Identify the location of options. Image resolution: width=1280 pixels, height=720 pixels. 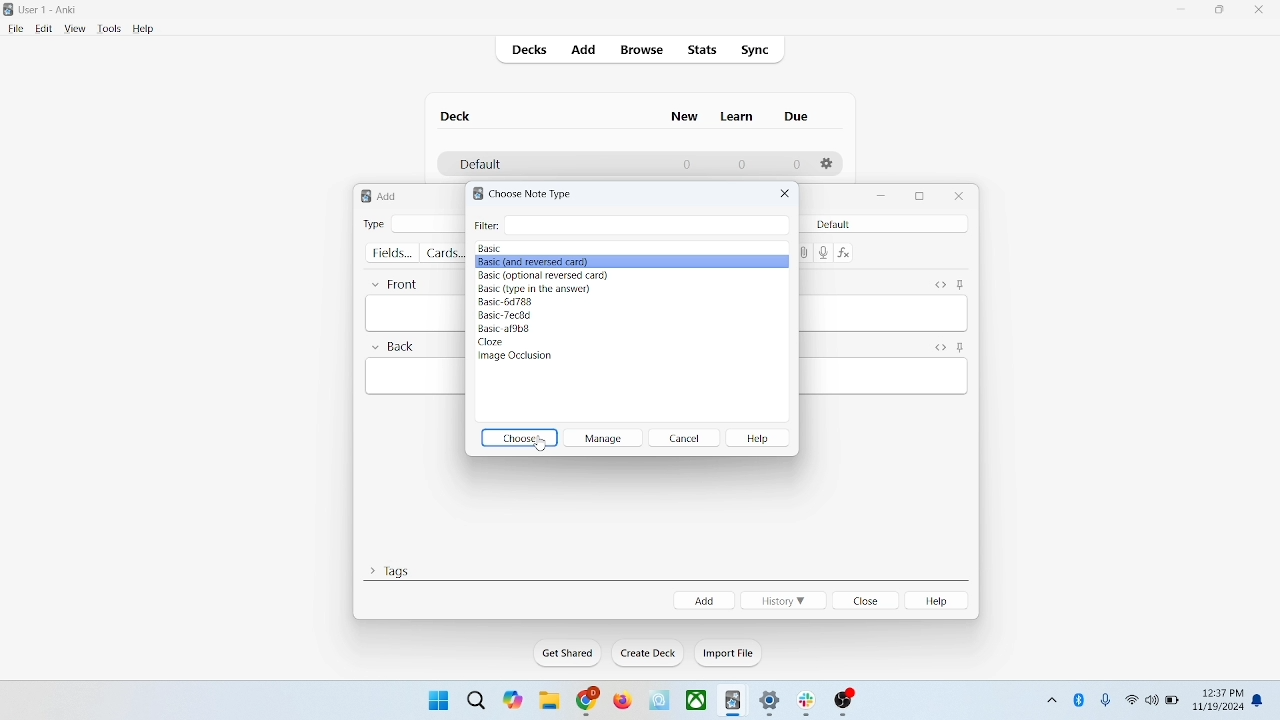
(828, 164).